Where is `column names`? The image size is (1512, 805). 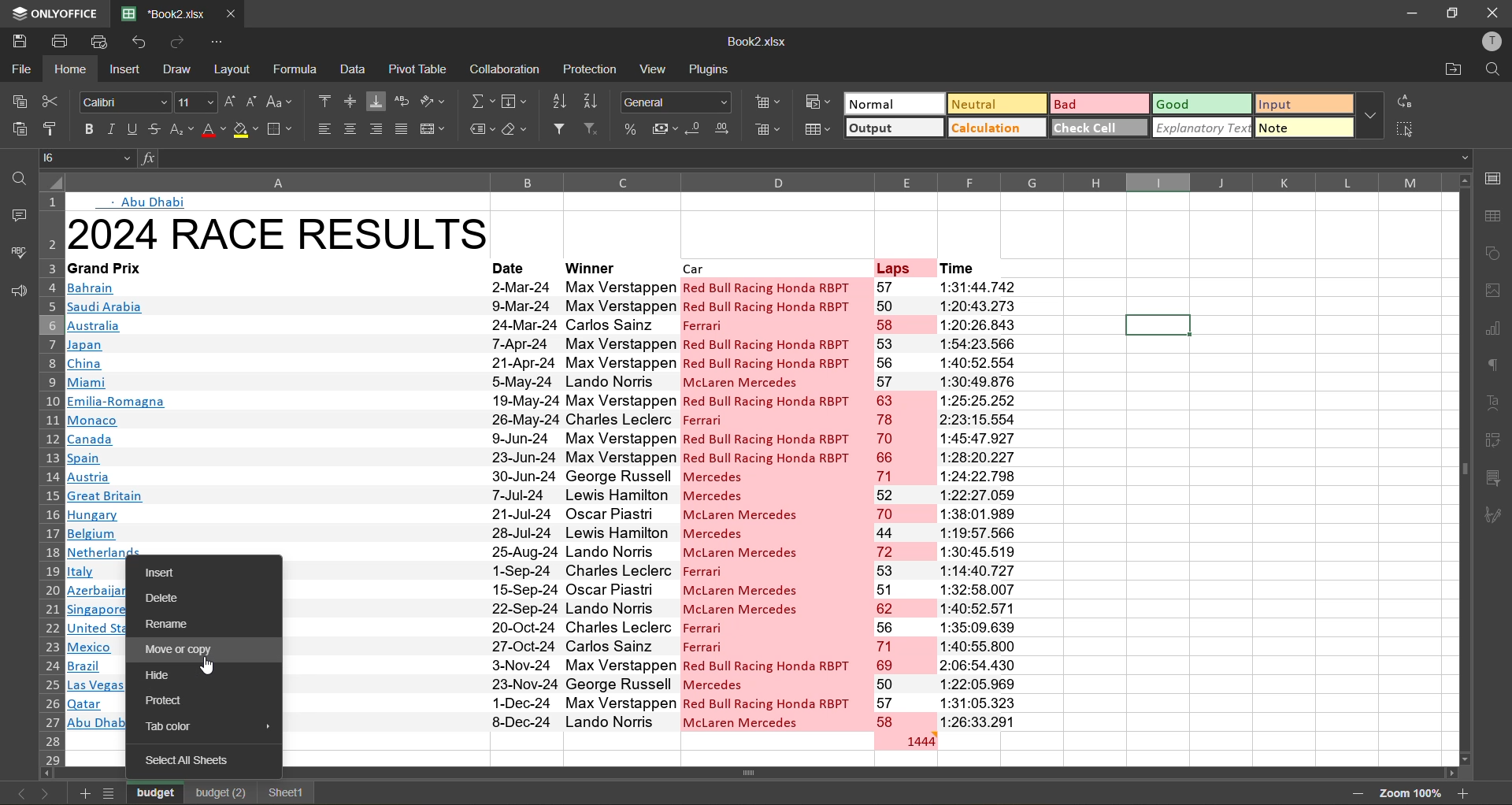 column names is located at coordinates (750, 182).